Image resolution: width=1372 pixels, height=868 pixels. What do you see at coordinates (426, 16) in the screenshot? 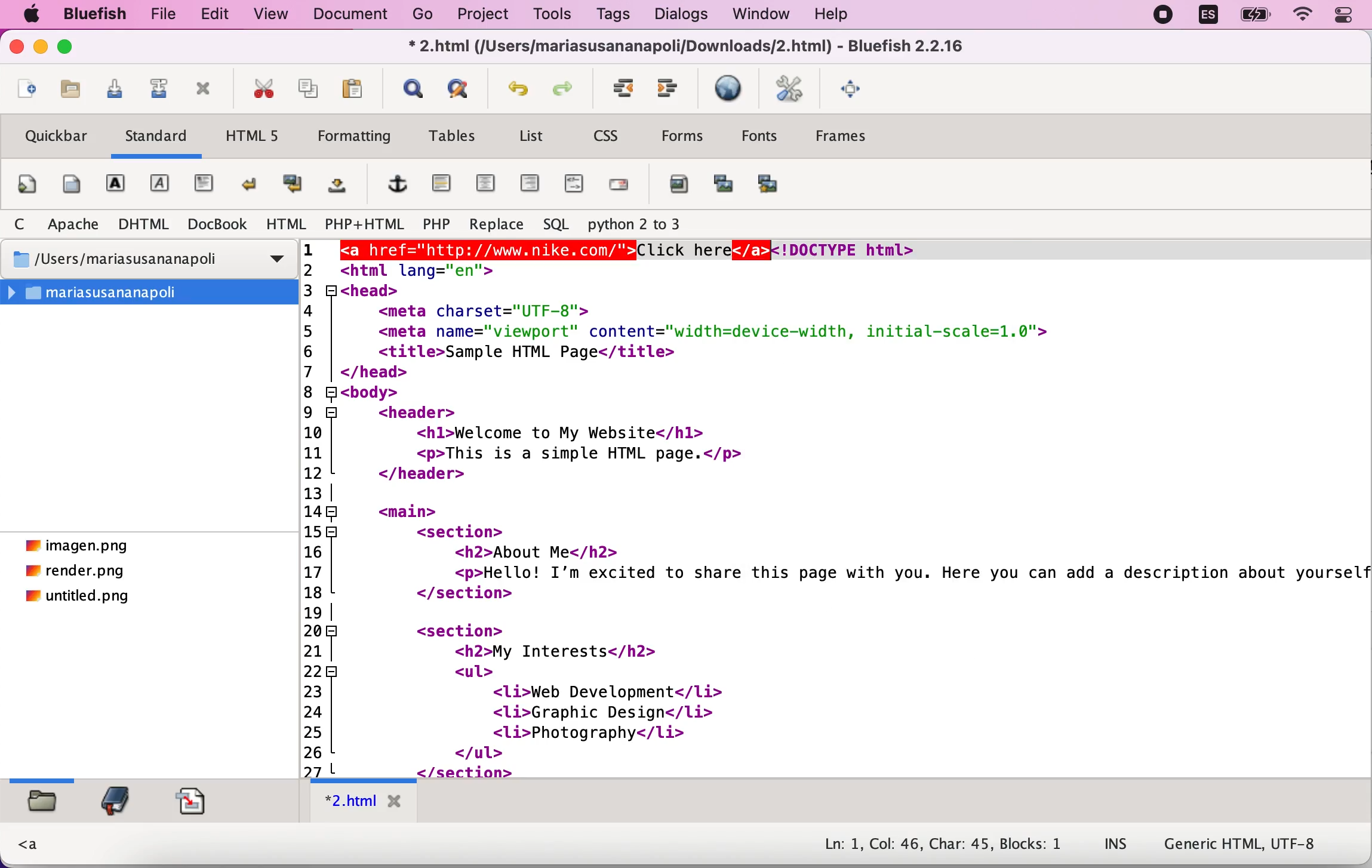
I see `go` at bounding box center [426, 16].